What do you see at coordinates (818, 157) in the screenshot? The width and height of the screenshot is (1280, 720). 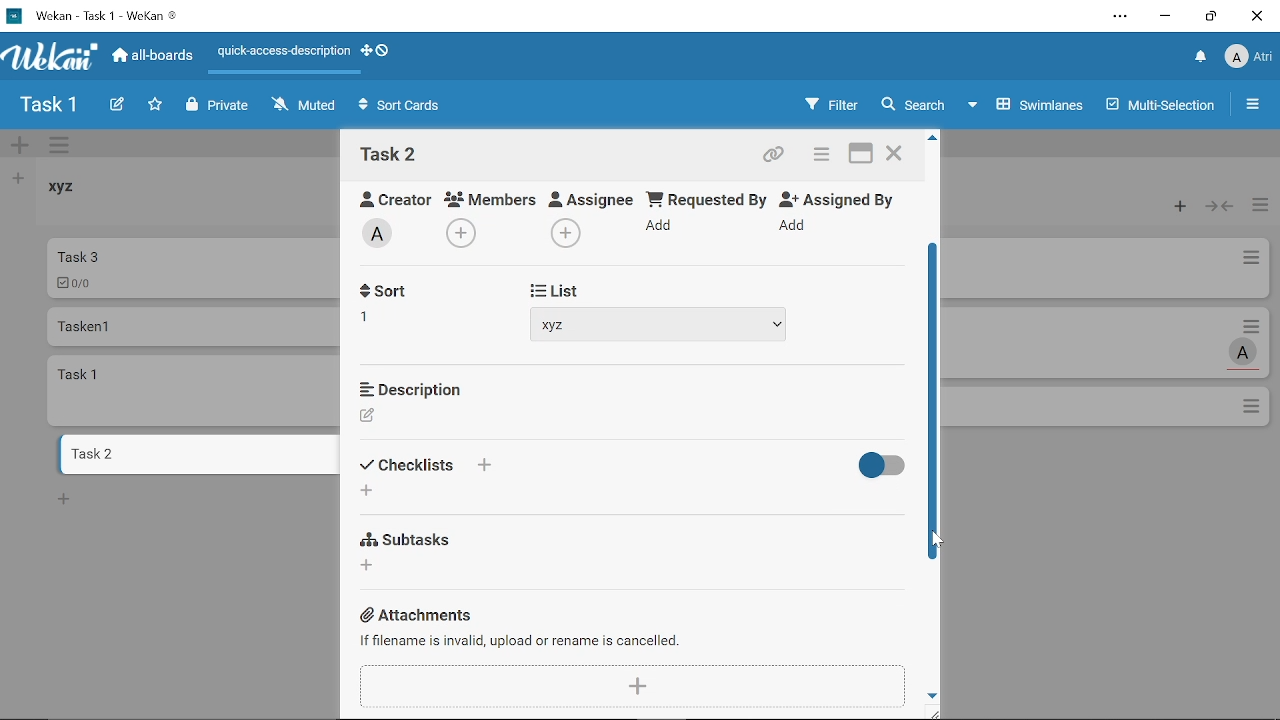 I see `Card actions` at bounding box center [818, 157].